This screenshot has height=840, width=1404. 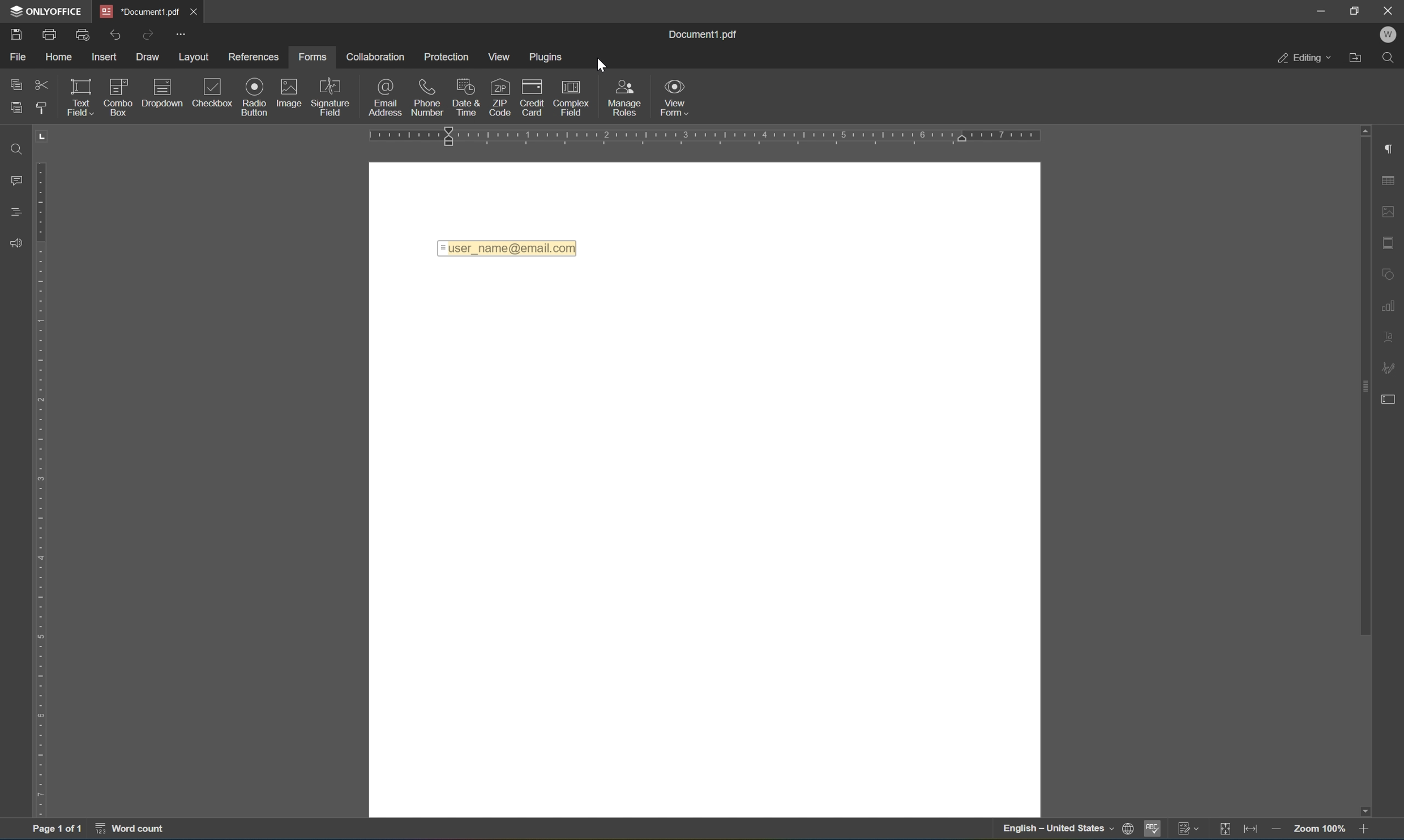 What do you see at coordinates (446, 57) in the screenshot?
I see `protection` at bounding box center [446, 57].